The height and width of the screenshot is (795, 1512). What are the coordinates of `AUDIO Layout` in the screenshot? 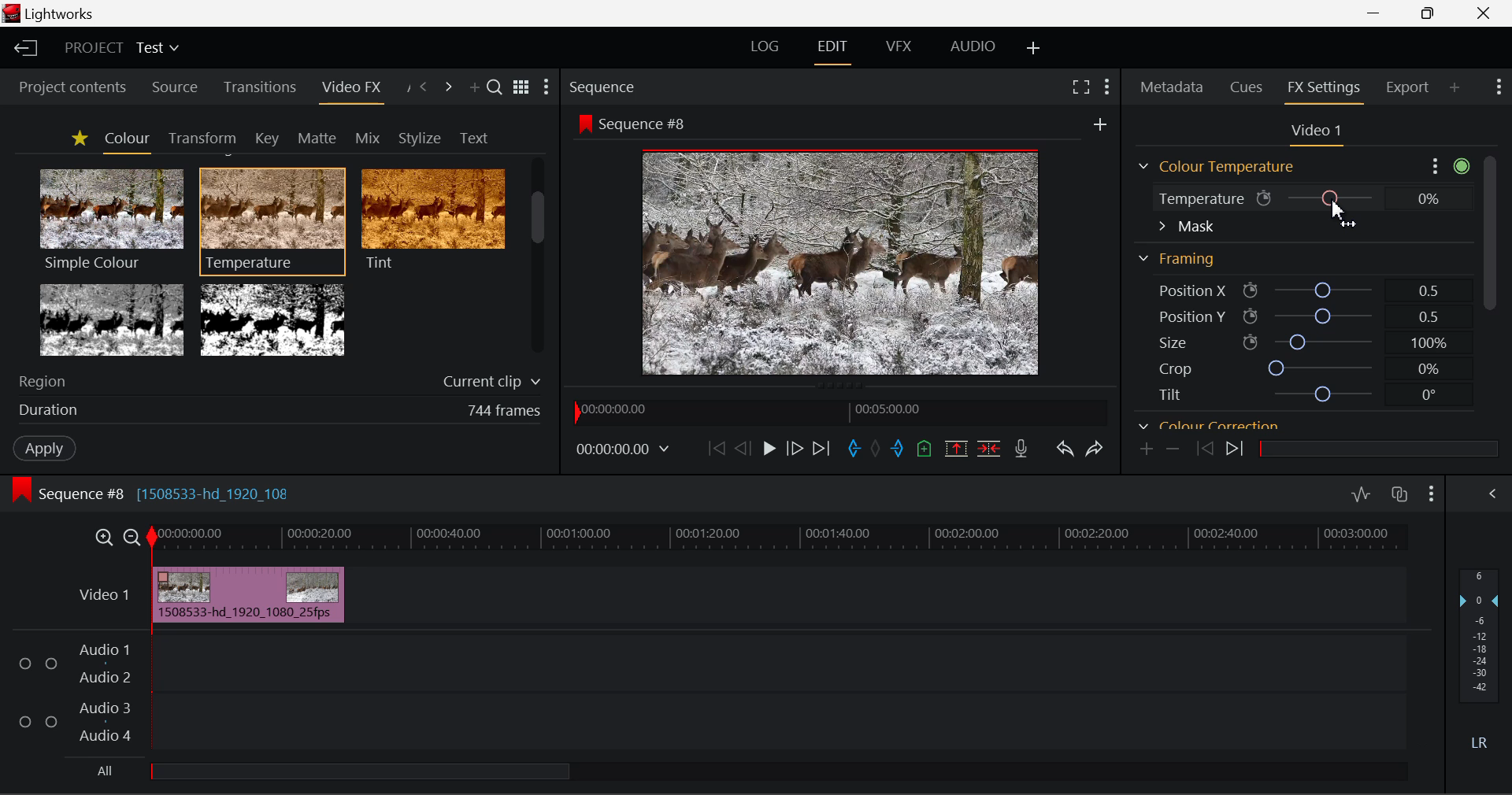 It's located at (973, 46).